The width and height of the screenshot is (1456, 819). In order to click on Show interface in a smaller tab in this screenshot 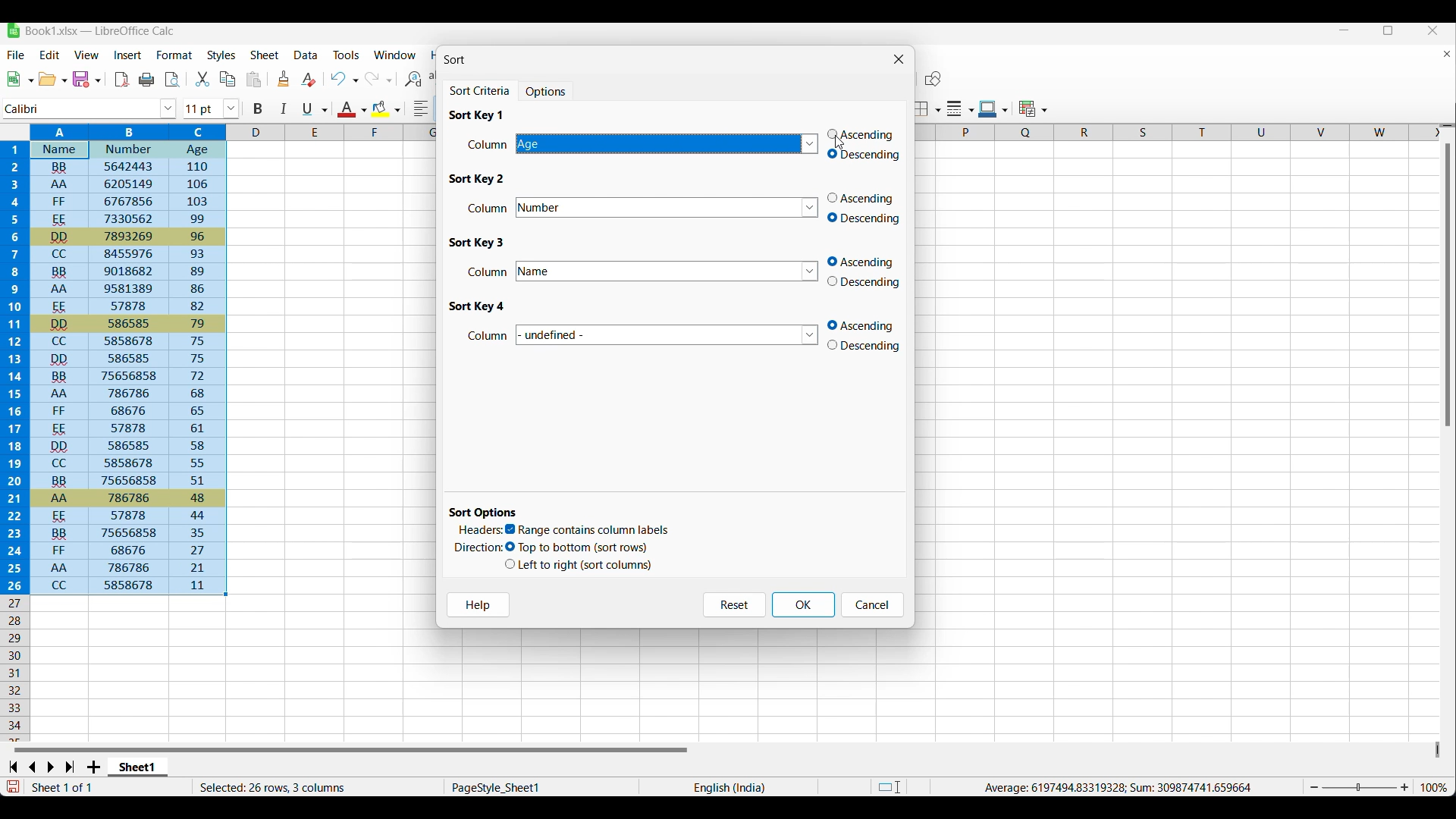, I will do `click(1389, 30)`.